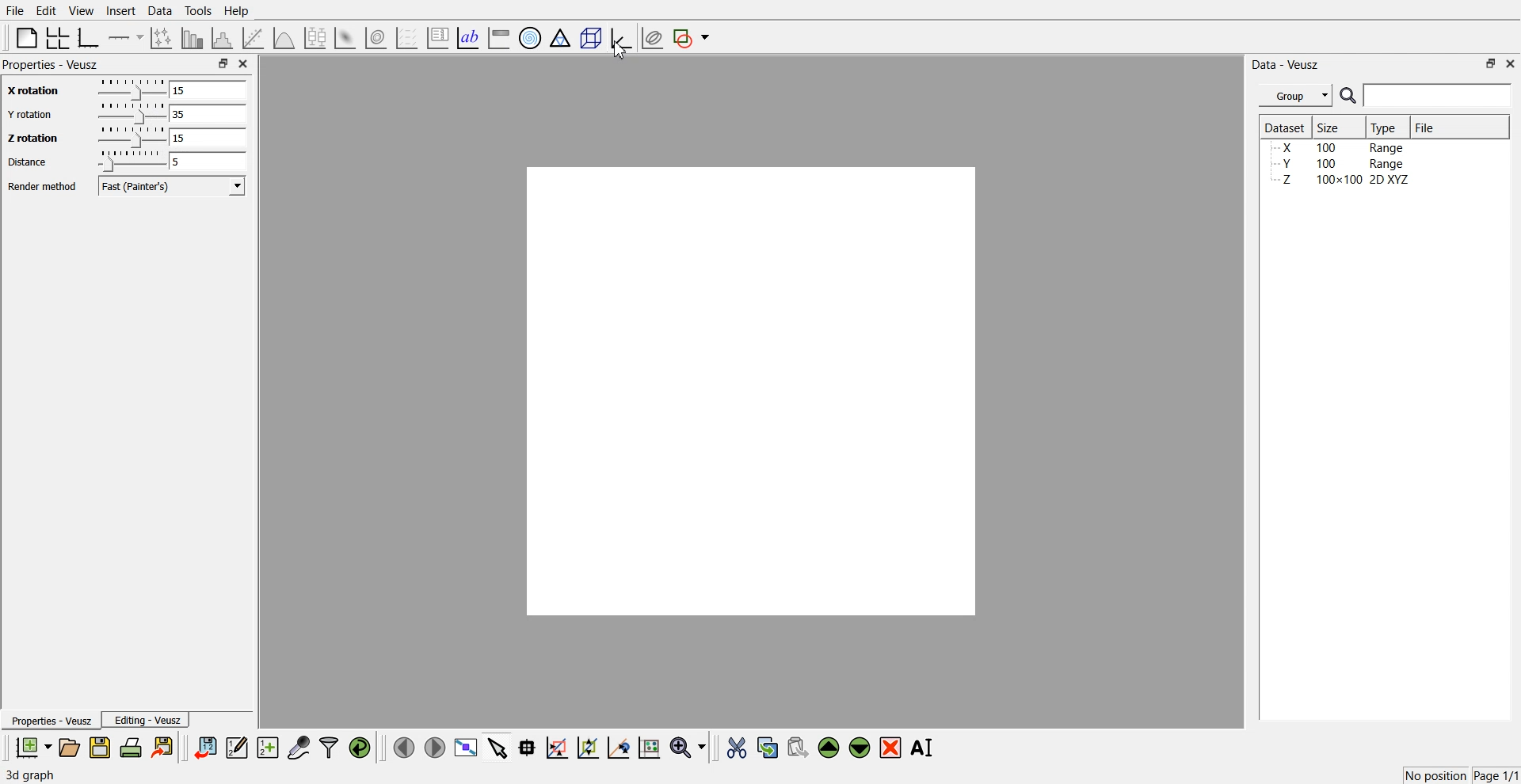  I want to click on Plot box plots, so click(315, 38).